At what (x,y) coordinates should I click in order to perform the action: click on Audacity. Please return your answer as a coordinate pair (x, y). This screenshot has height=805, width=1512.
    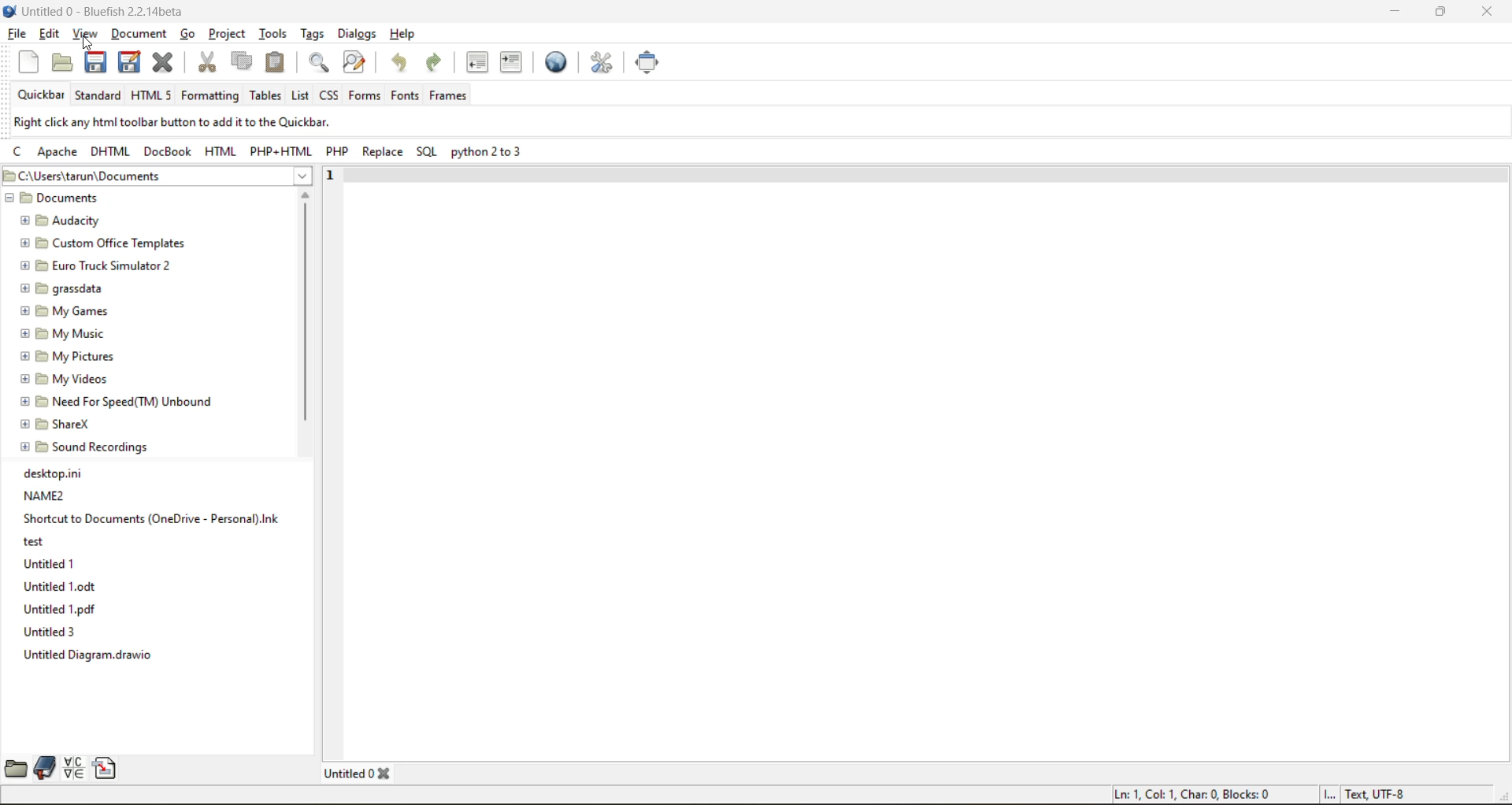
    Looking at the image, I should click on (64, 221).